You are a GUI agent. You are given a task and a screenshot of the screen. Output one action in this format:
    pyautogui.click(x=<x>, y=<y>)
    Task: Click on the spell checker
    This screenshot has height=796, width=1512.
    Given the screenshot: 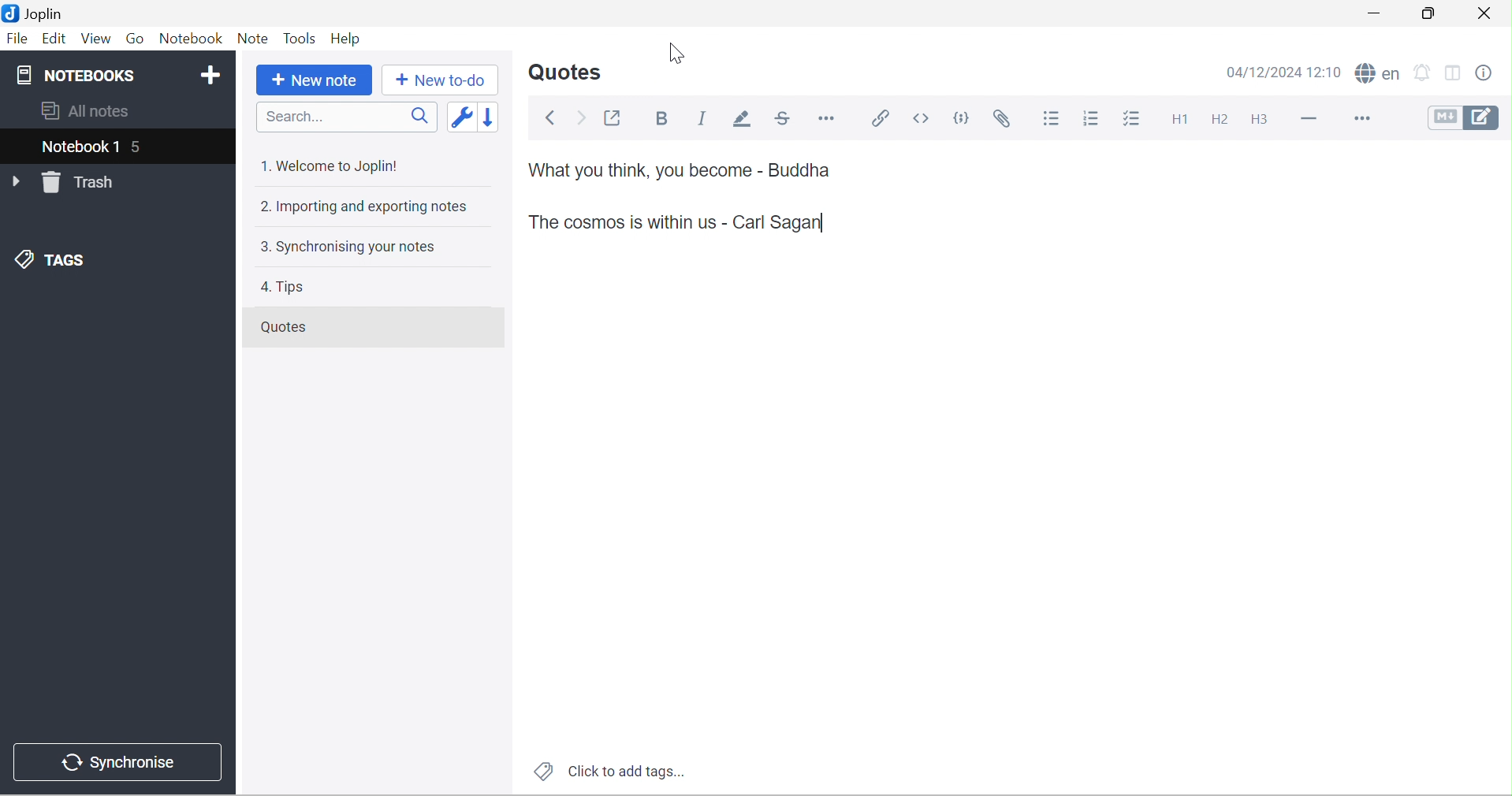 What is the action you would take?
    pyautogui.click(x=1376, y=73)
    